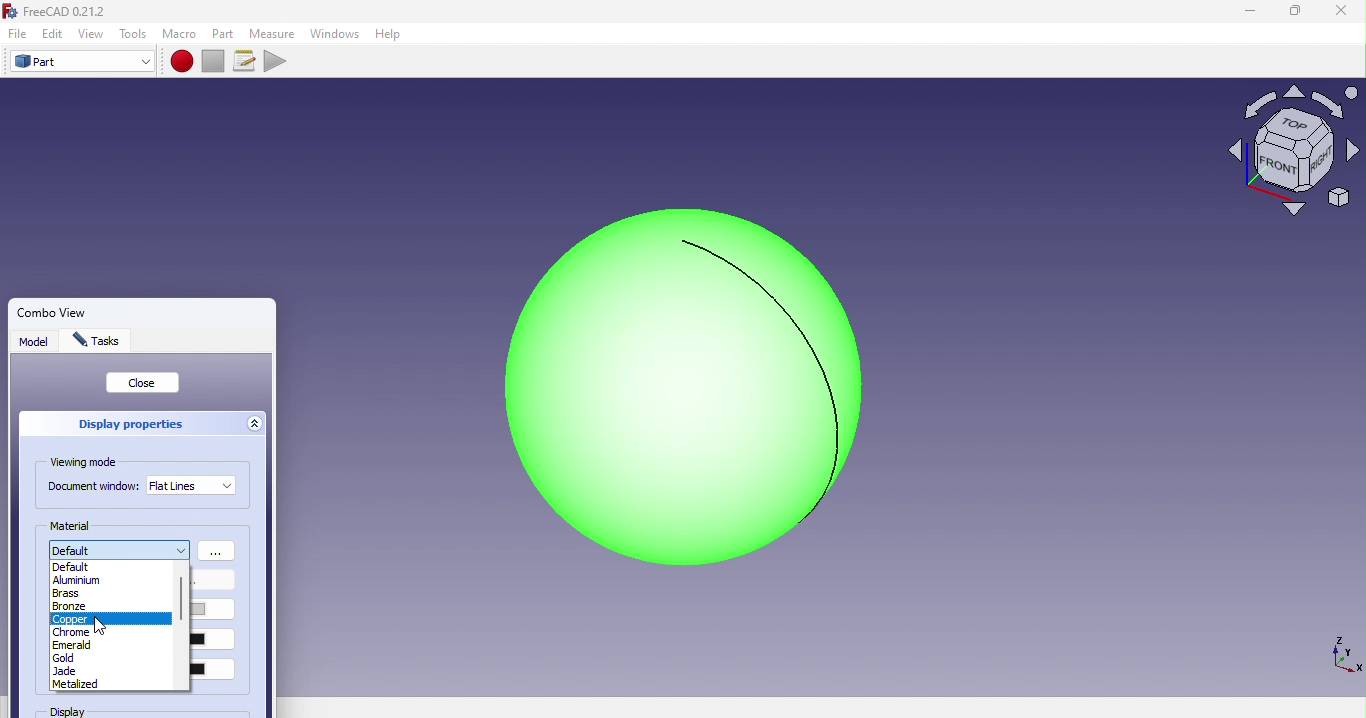 The width and height of the screenshot is (1366, 718). I want to click on Bronze, so click(69, 607).